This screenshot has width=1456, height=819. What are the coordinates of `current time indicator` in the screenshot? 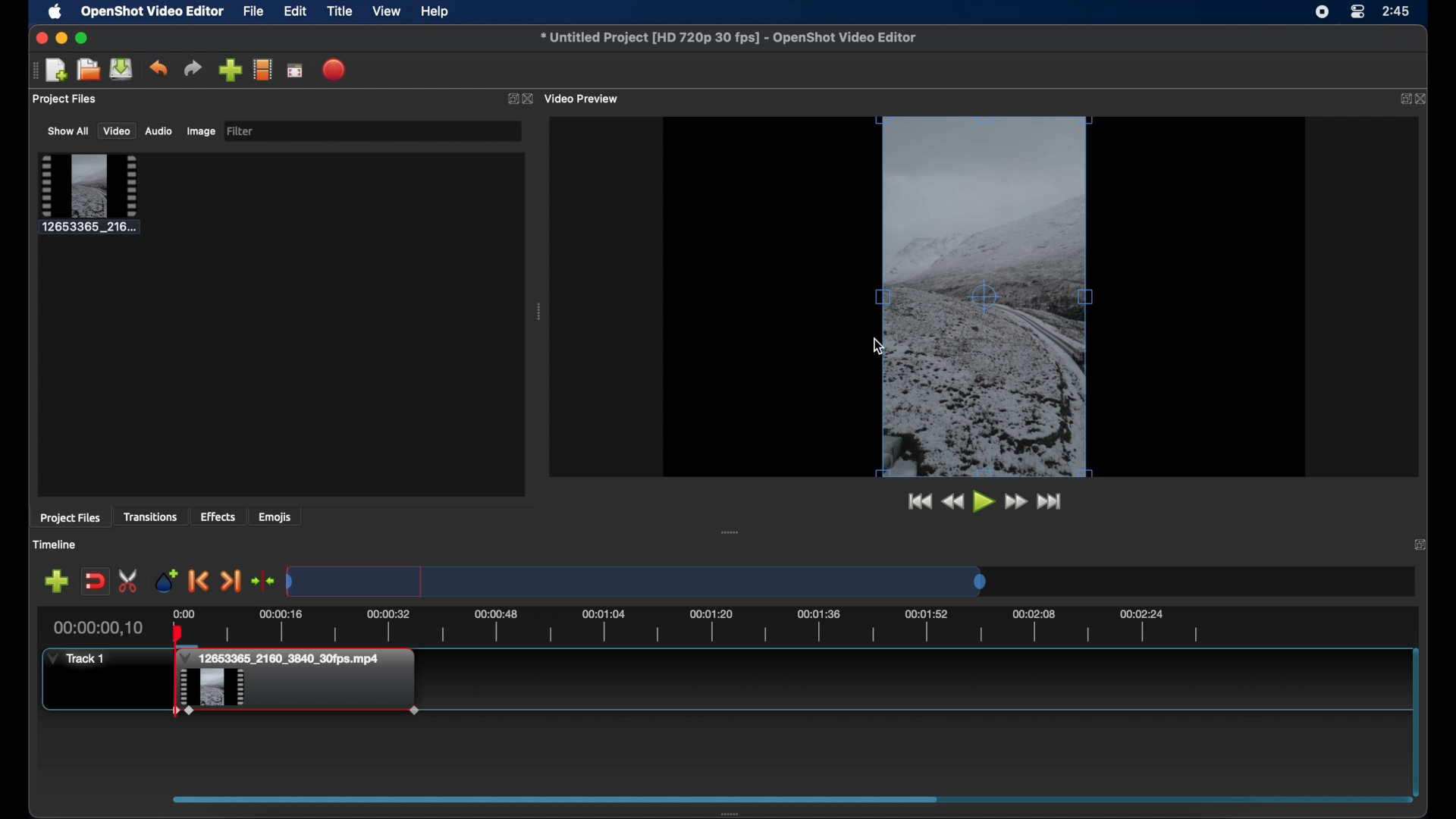 It's located at (102, 626).